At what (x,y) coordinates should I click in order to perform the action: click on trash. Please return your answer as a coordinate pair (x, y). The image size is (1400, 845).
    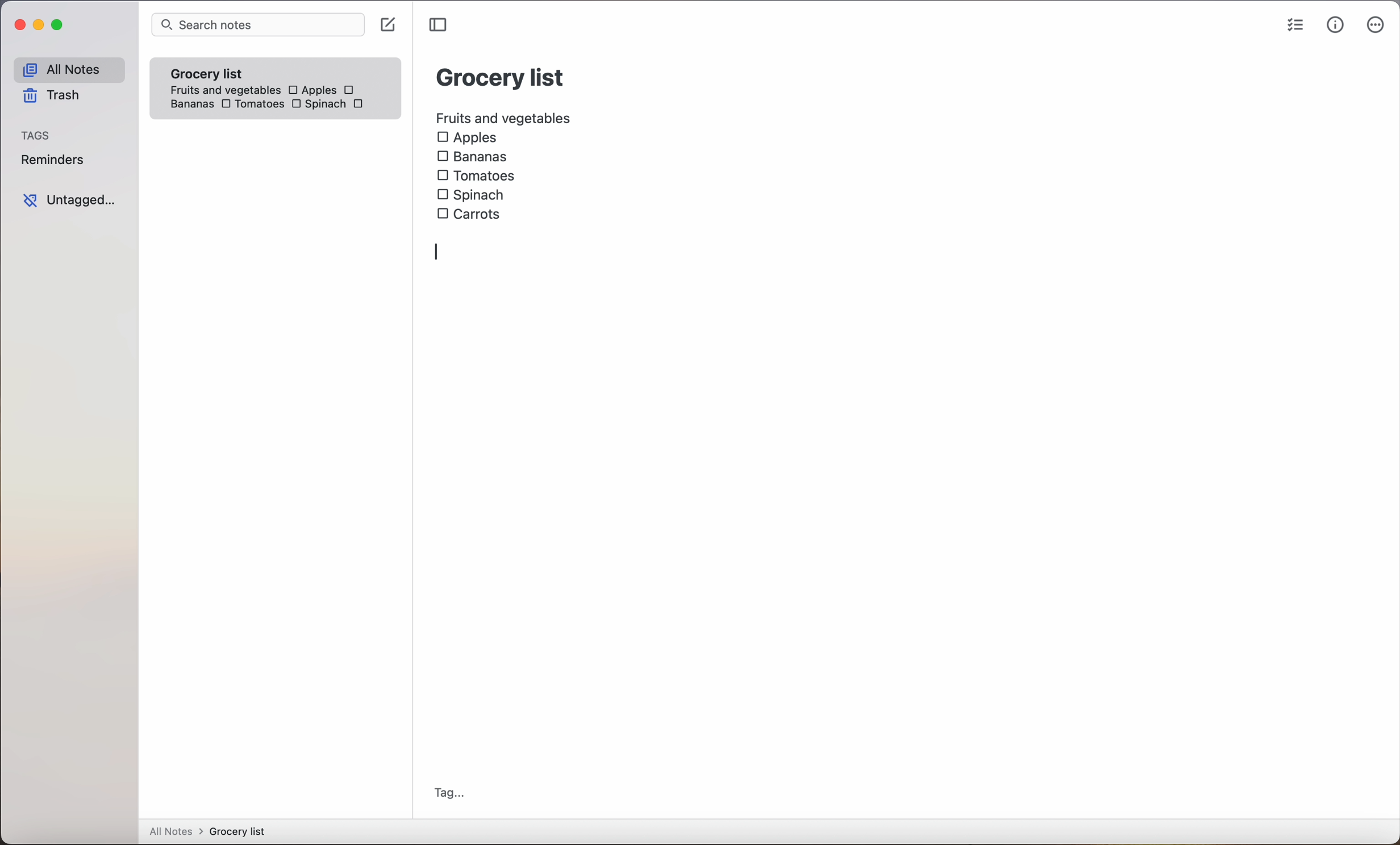
    Looking at the image, I should click on (50, 98).